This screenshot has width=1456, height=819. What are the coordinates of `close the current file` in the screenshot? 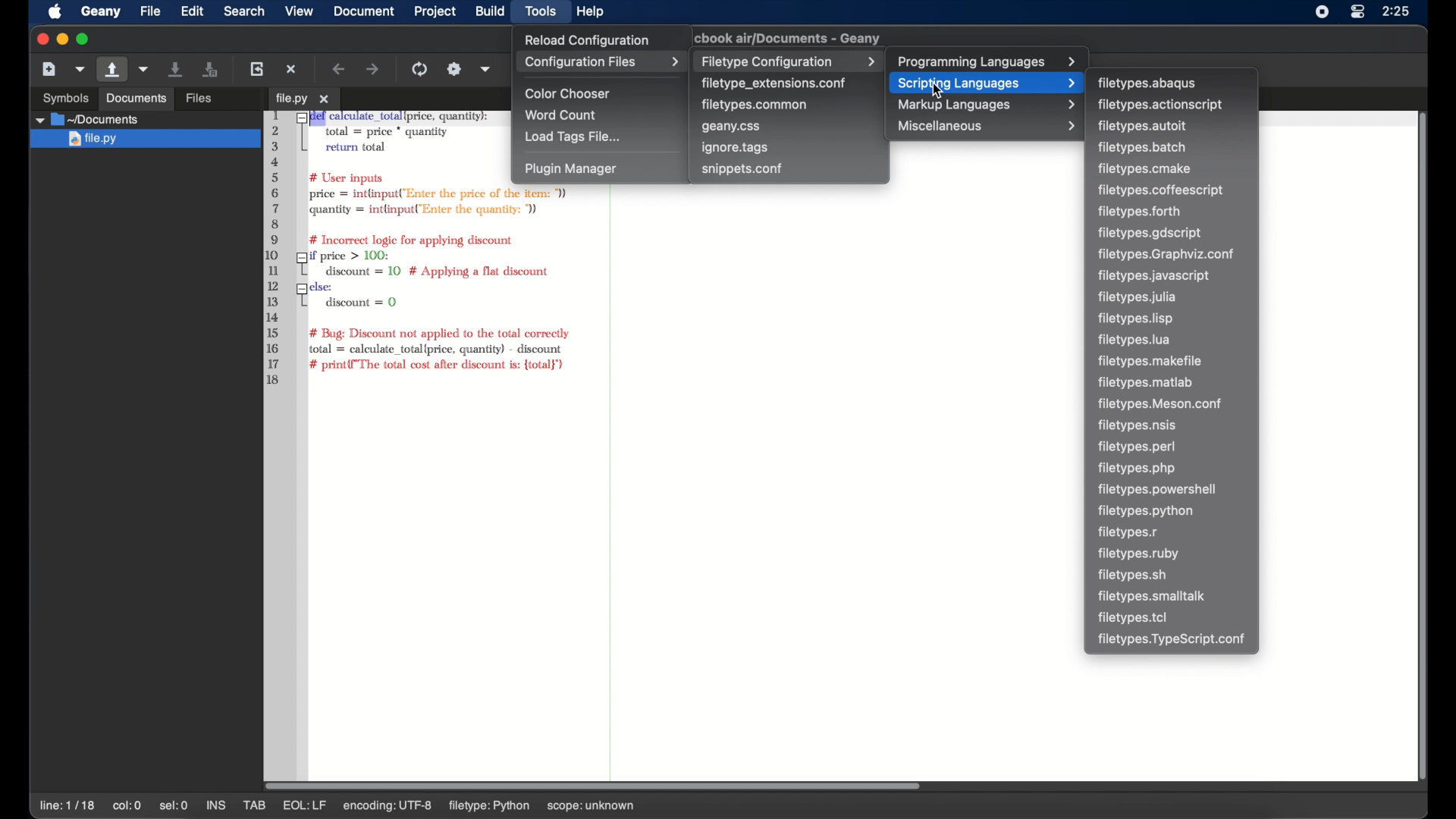 It's located at (292, 69).